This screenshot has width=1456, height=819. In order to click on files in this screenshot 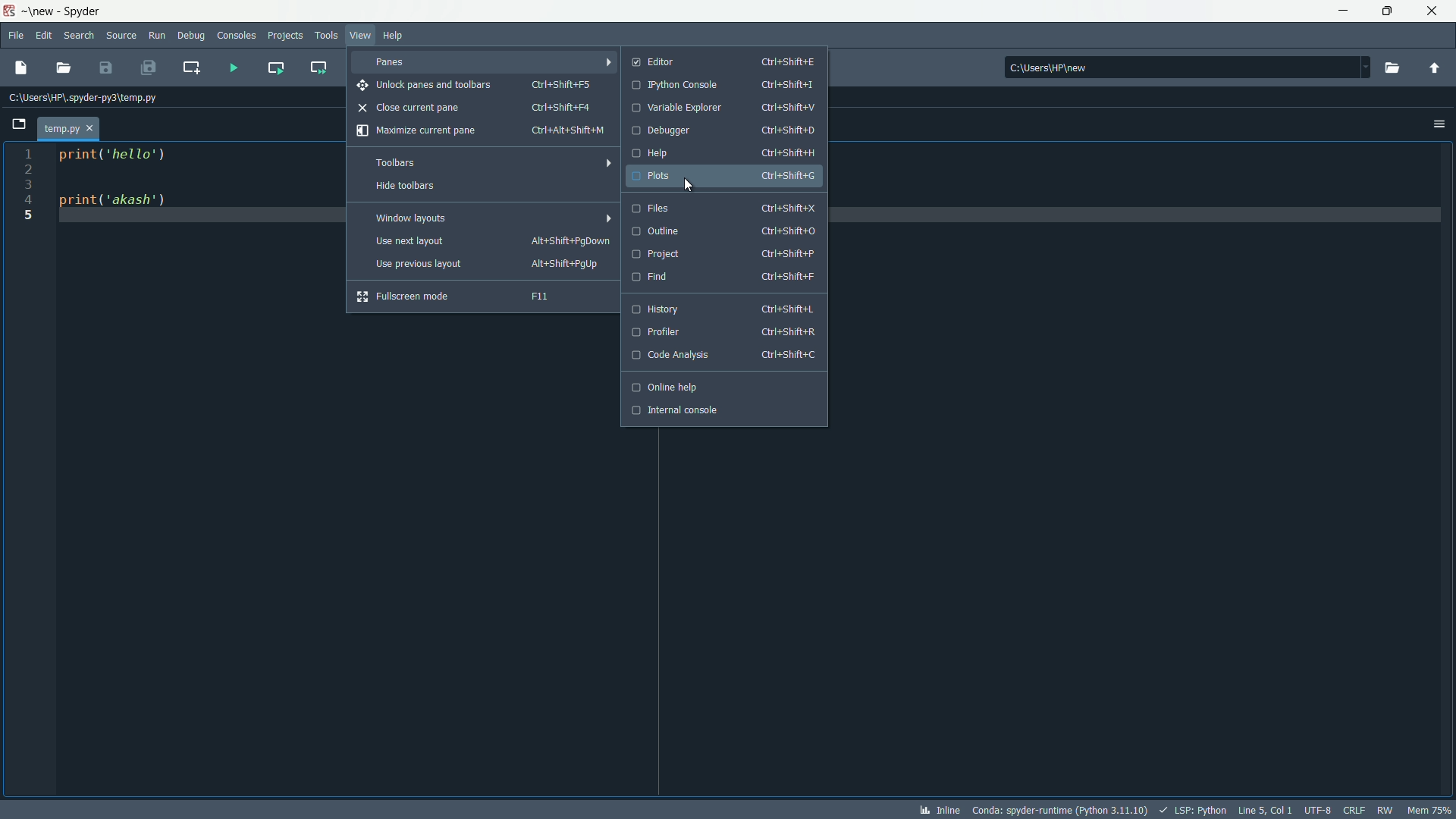, I will do `click(724, 207)`.